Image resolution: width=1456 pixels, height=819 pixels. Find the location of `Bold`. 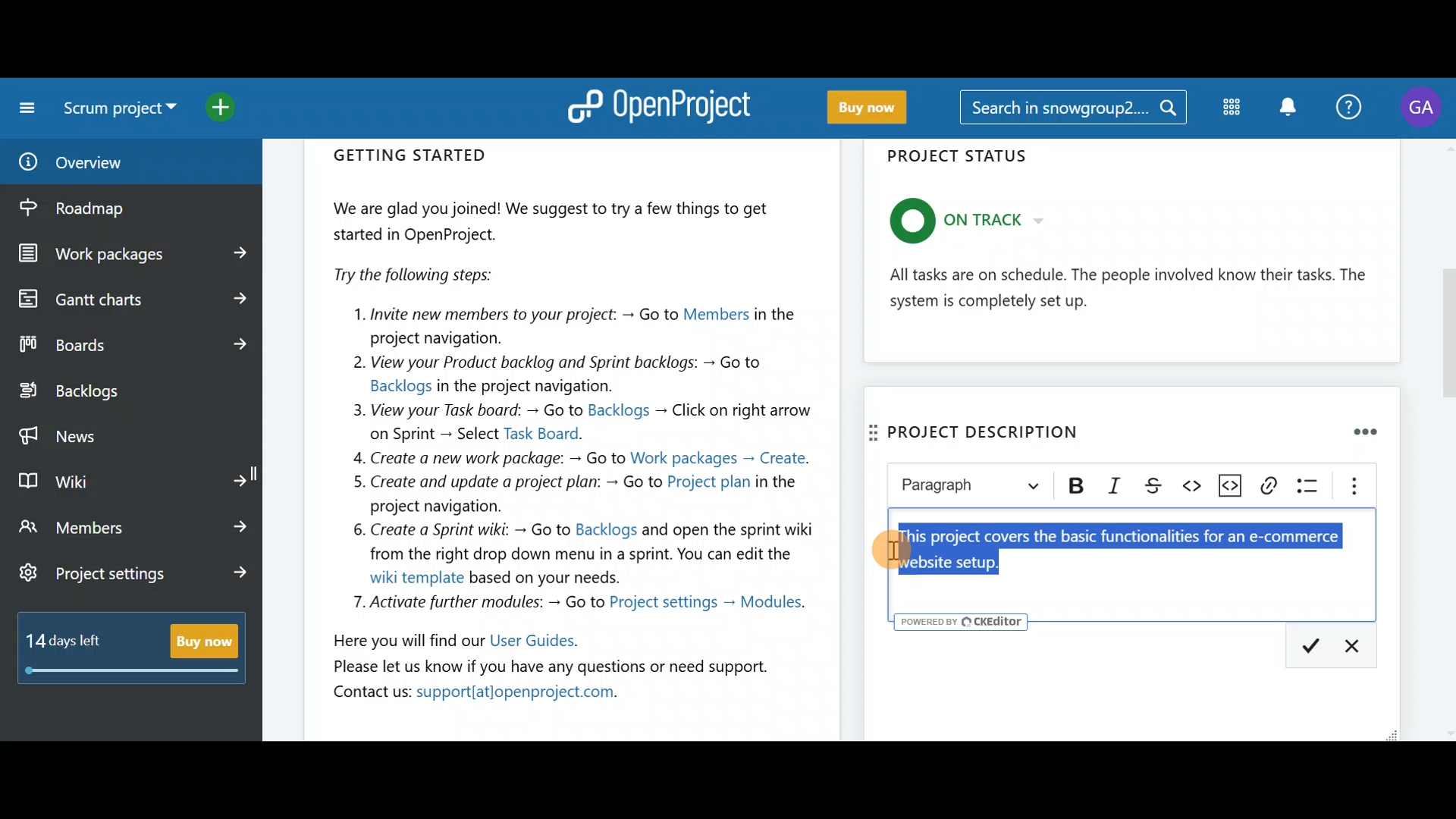

Bold is located at coordinates (1078, 487).